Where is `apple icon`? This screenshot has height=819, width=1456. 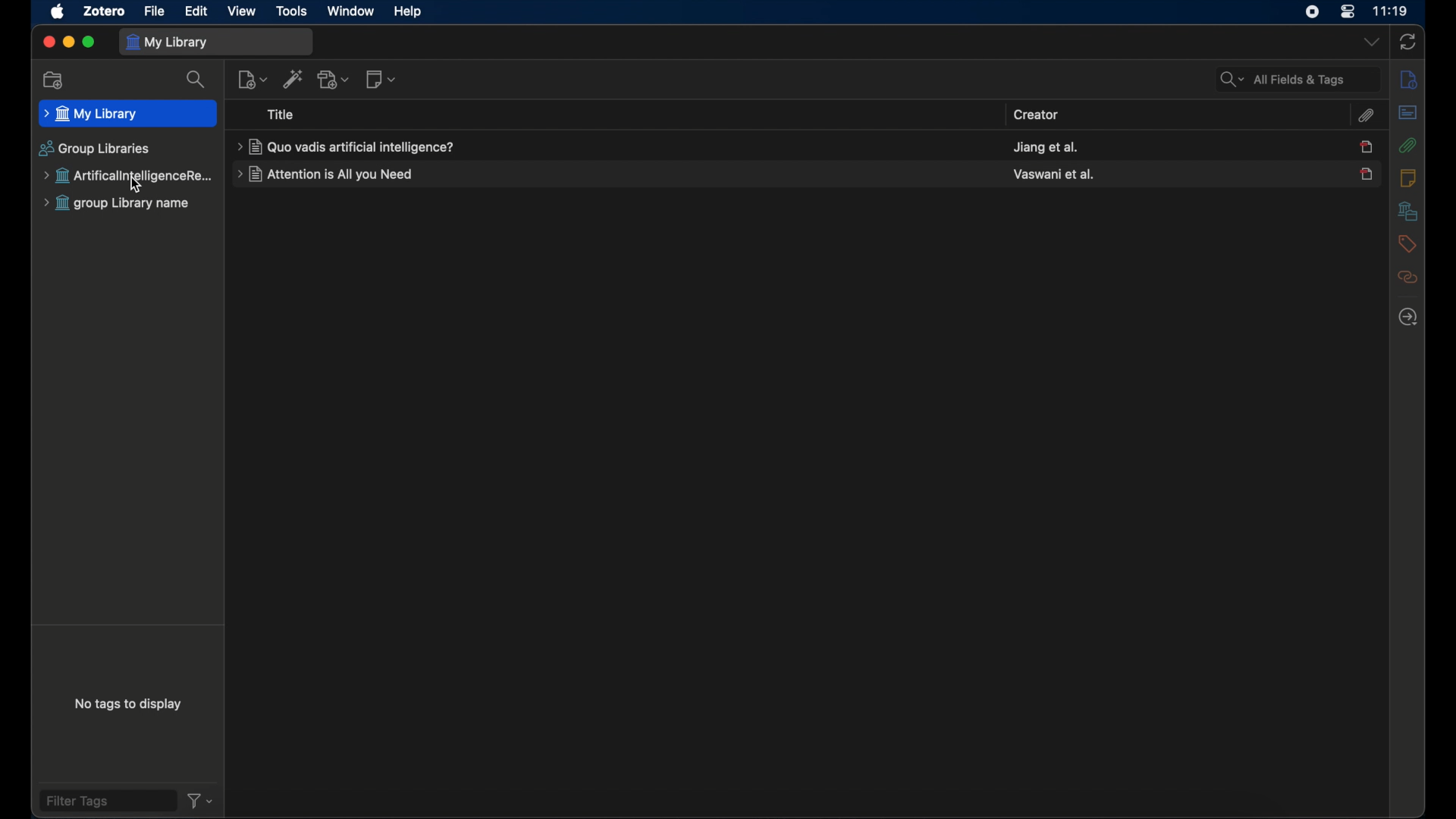
apple icon is located at coordinates (56, 12).